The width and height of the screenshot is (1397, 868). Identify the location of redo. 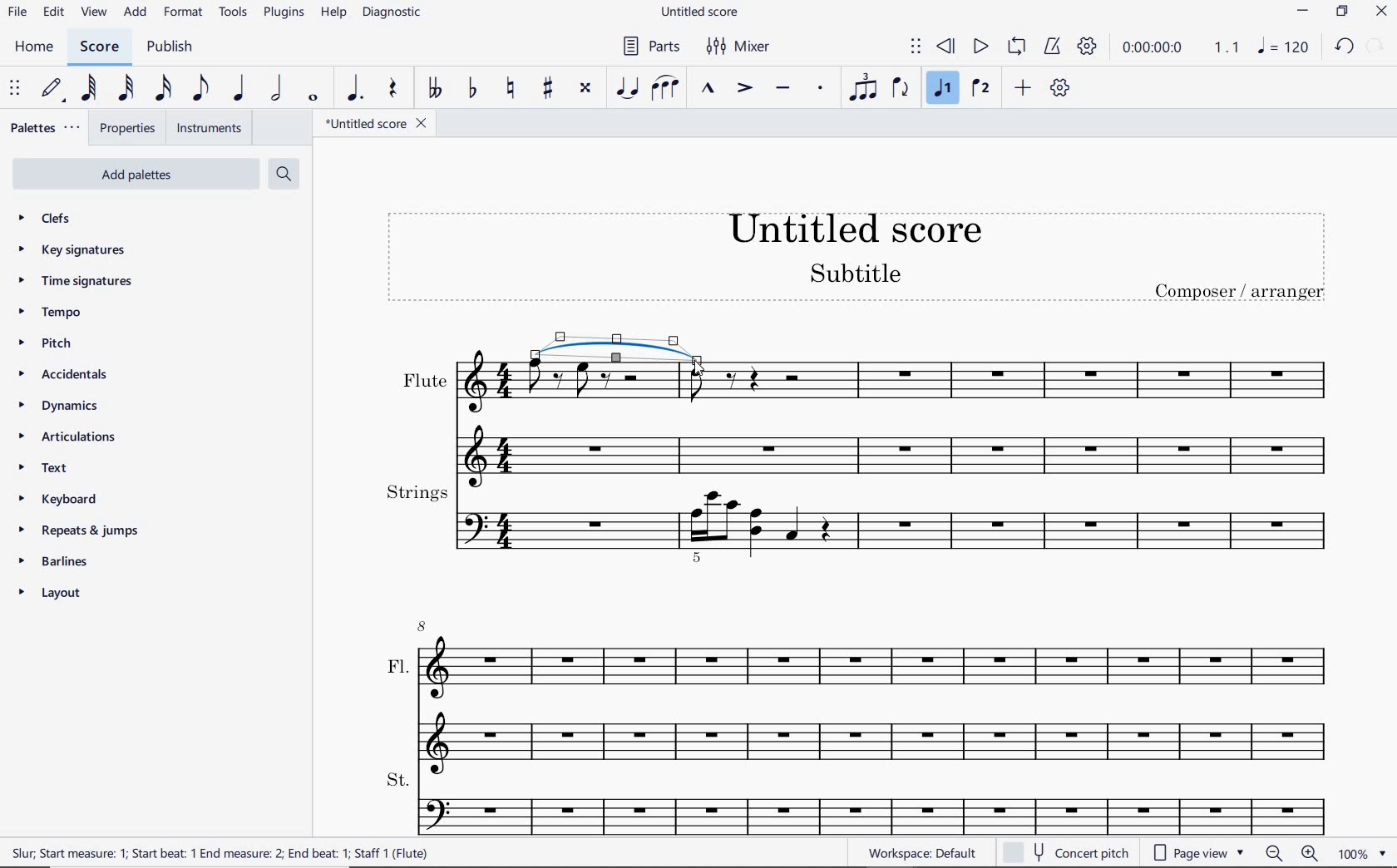
(1378, 47).